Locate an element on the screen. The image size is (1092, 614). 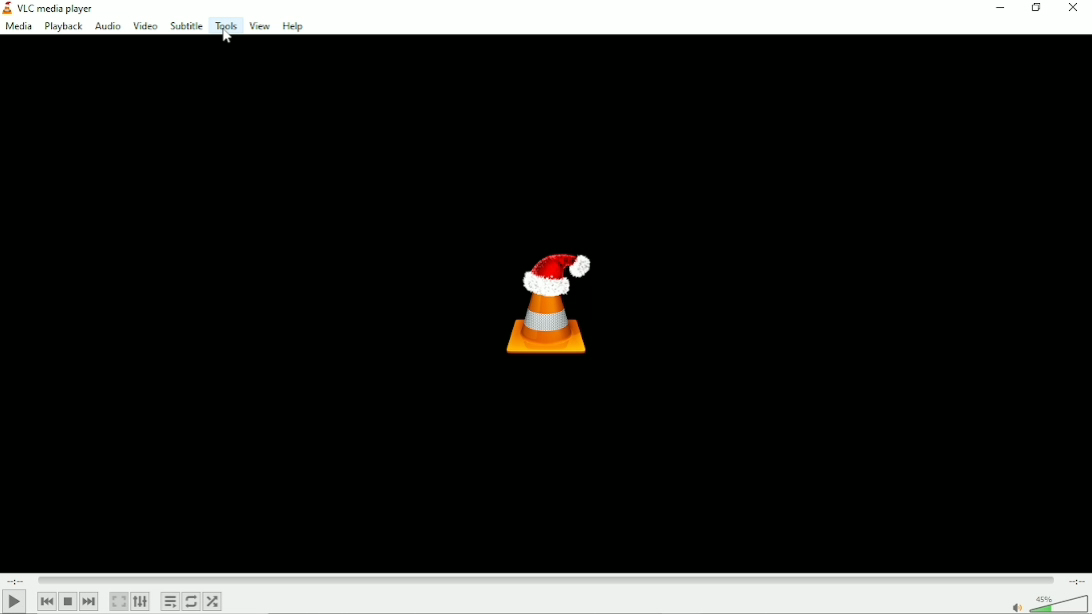
Random is located at coordinates (213, 602).